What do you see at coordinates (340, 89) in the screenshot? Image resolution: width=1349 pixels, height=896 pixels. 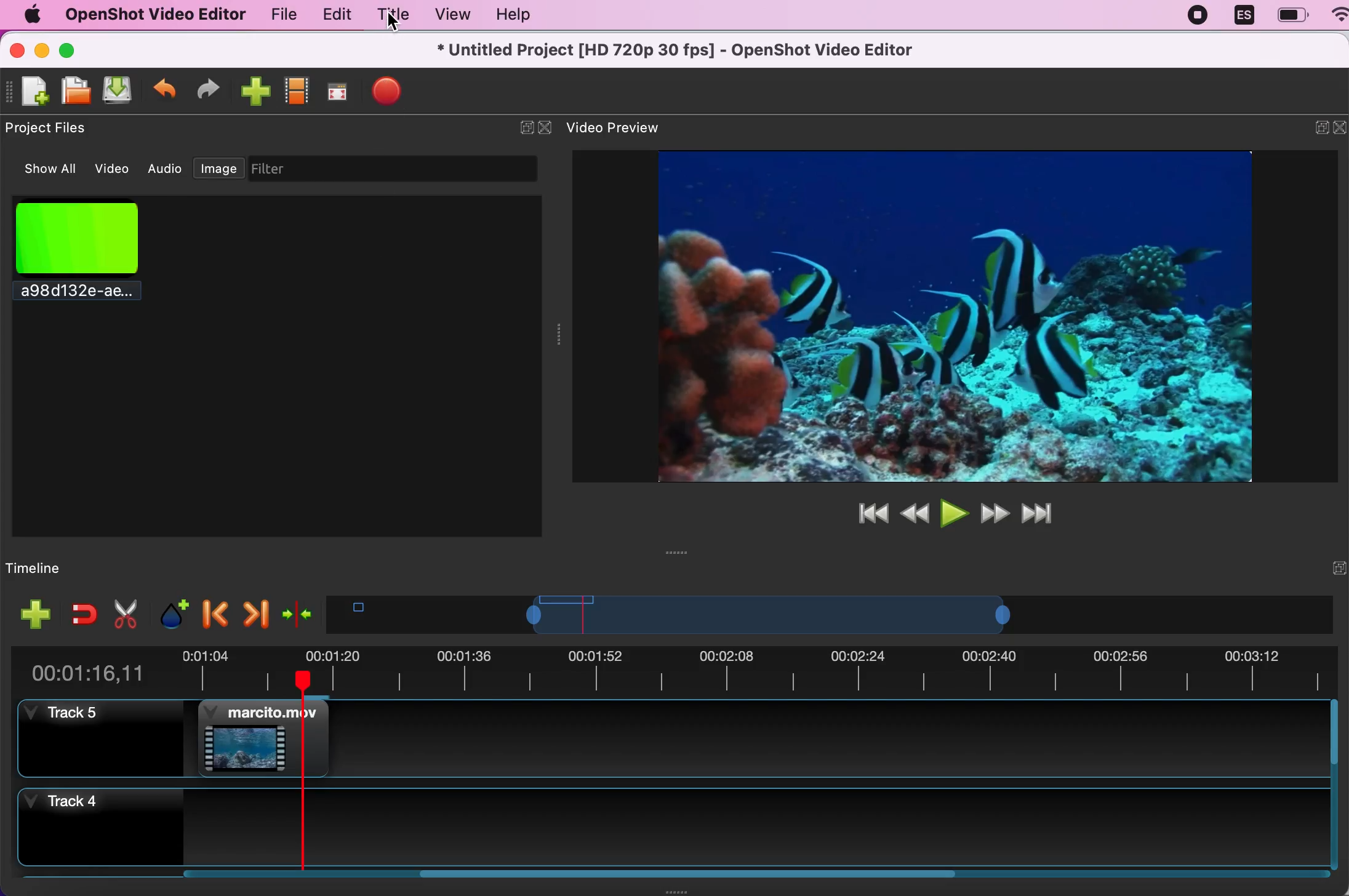 I see `full screen` at bounding box center [340, 89].